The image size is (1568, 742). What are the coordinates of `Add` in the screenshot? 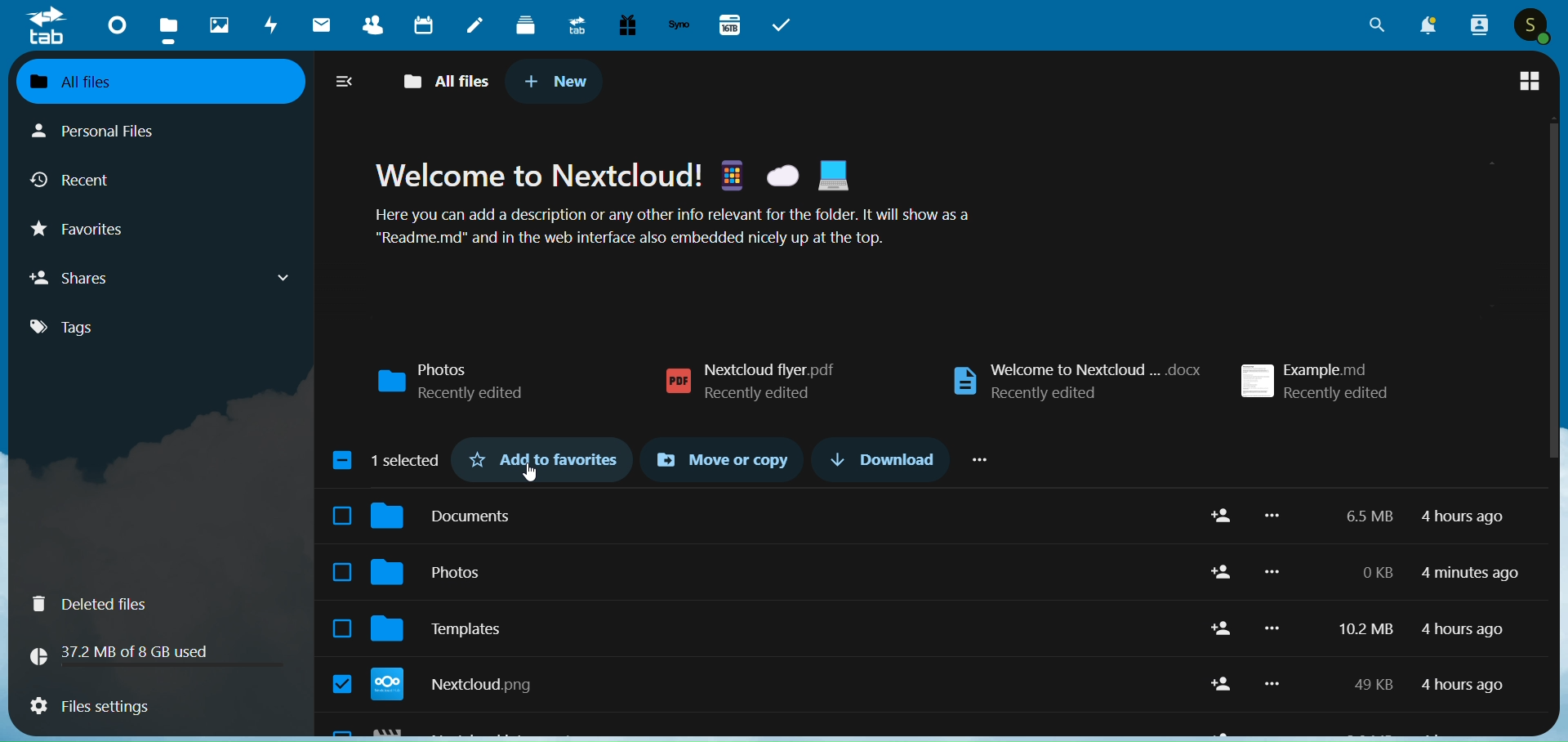 It's located at (1223, 628).